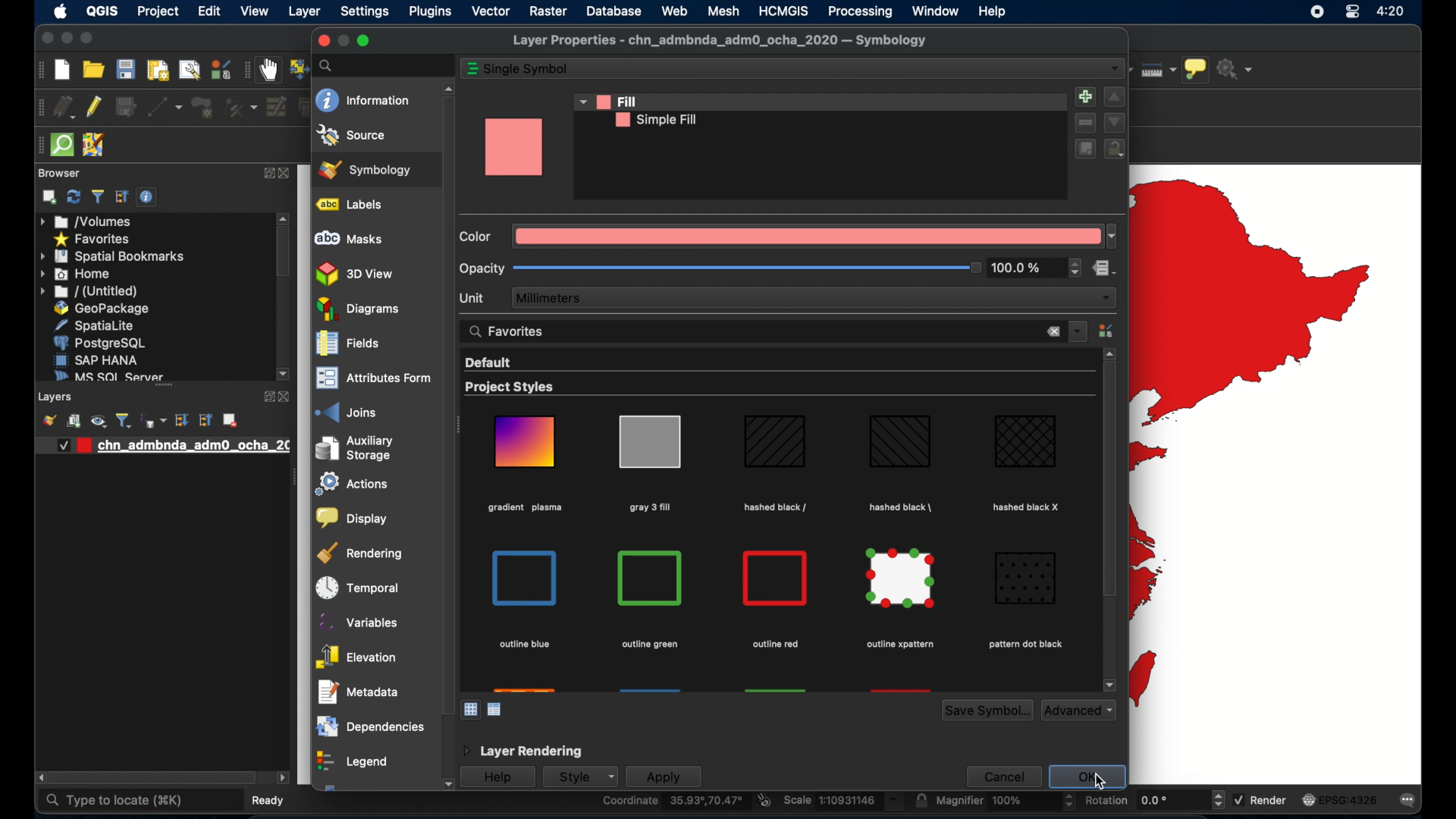 The width and height of the screenshot is (1456, 819). I want to click on manage map theme, so click(98, 421).